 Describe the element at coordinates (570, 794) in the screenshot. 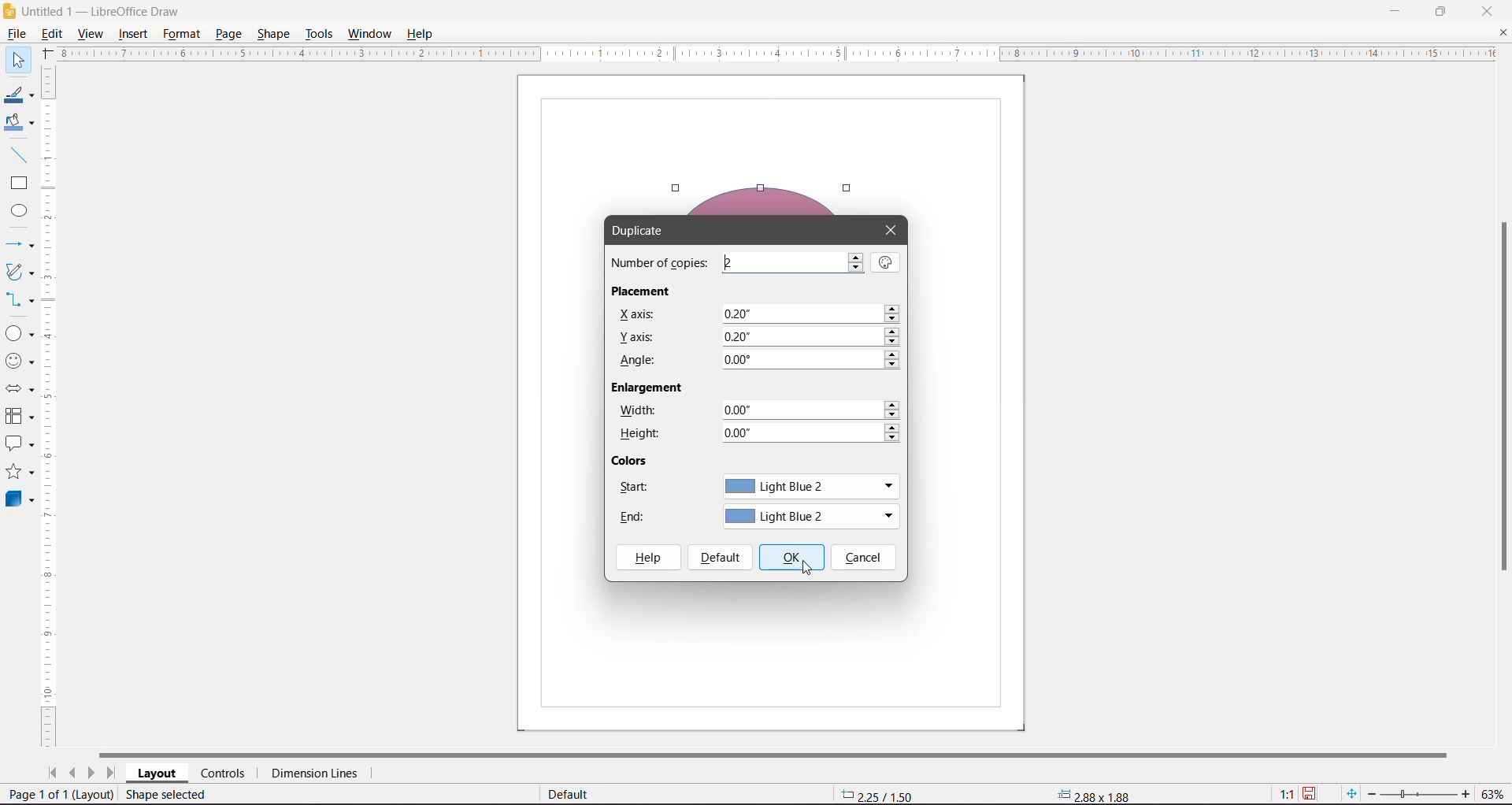

I see `Default` at that location.